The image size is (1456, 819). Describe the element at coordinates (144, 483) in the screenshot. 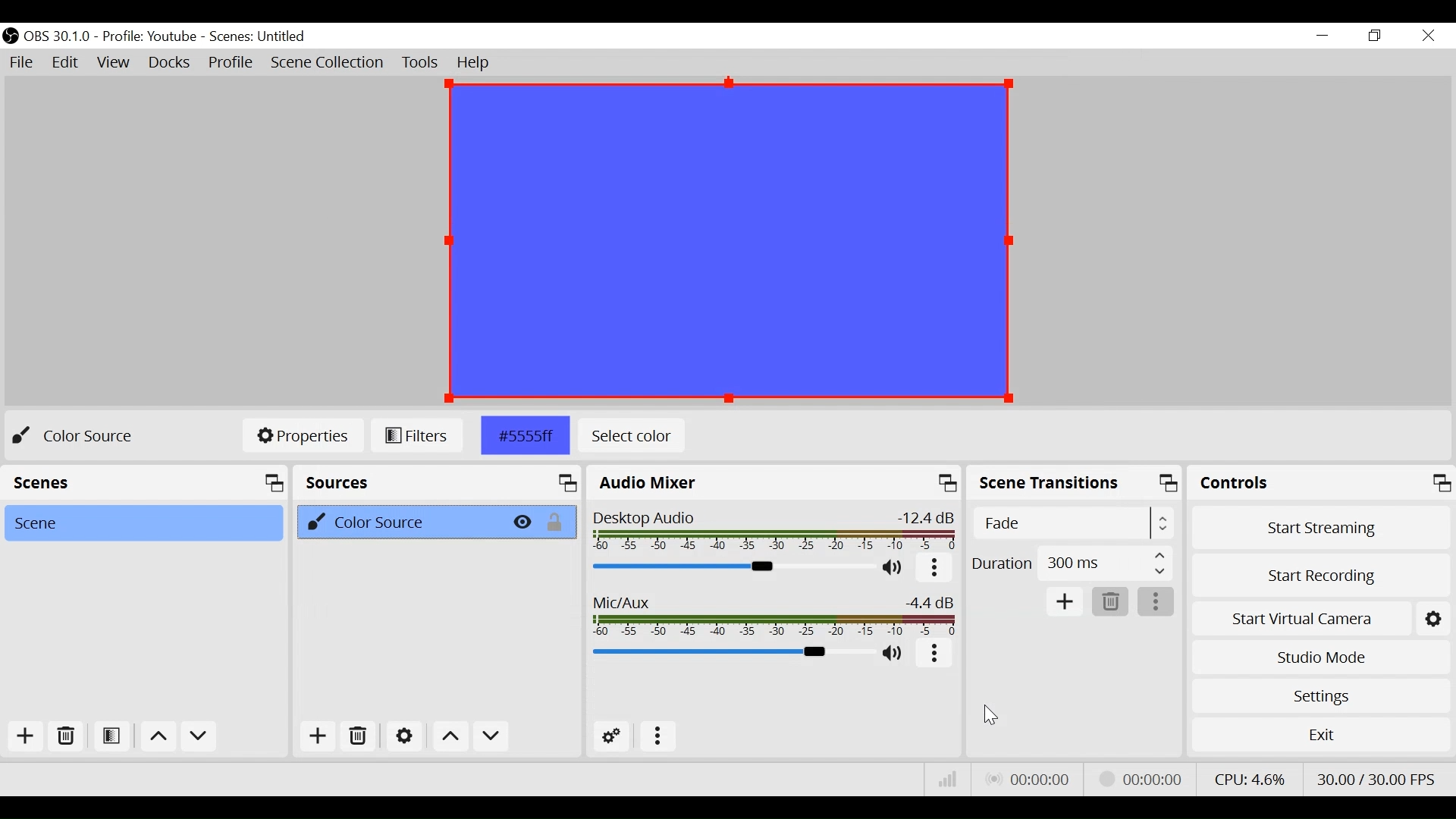

I see `Scenes` at that location.